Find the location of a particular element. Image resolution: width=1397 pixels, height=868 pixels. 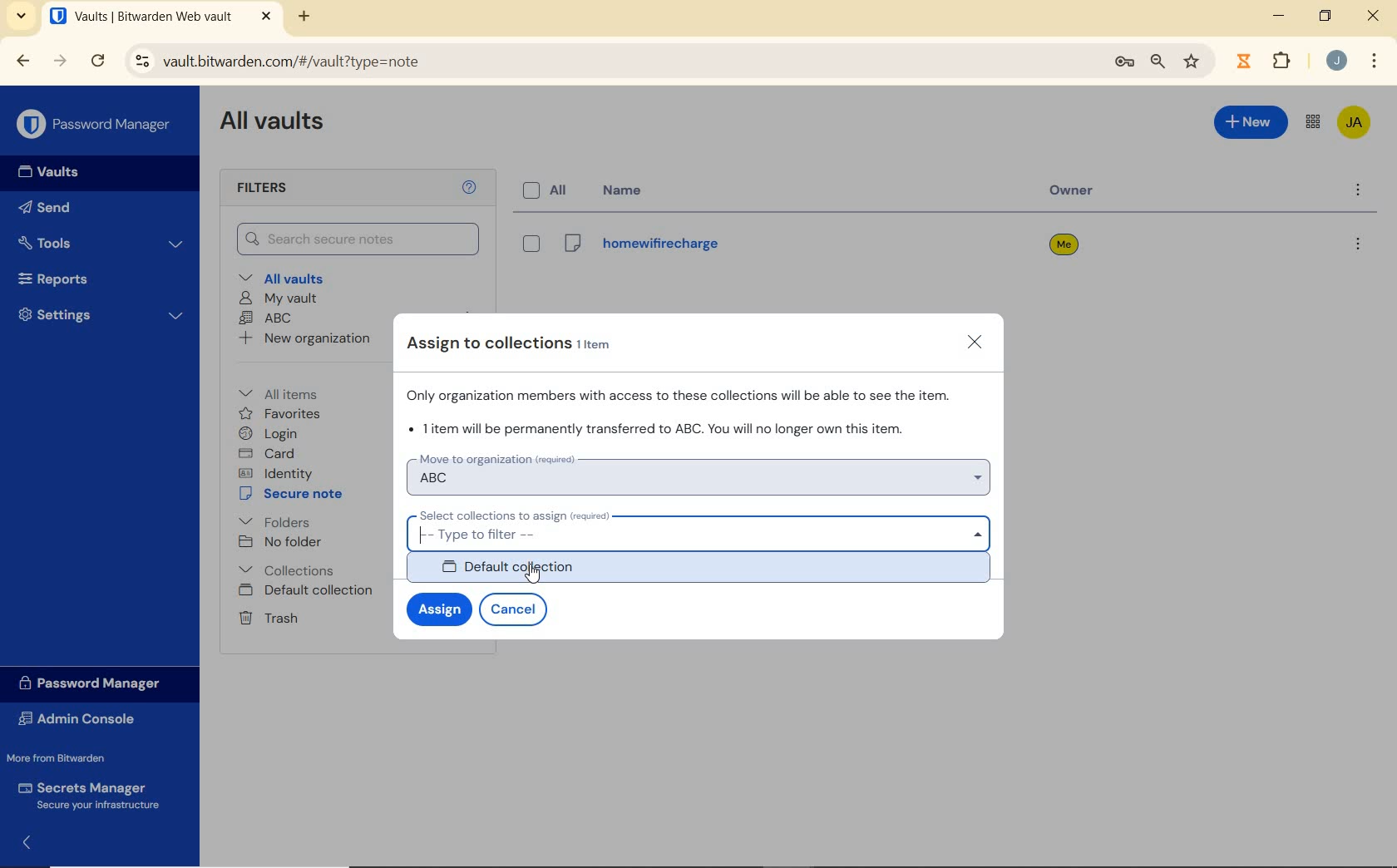

more options is located at coordinates (1356, 191).